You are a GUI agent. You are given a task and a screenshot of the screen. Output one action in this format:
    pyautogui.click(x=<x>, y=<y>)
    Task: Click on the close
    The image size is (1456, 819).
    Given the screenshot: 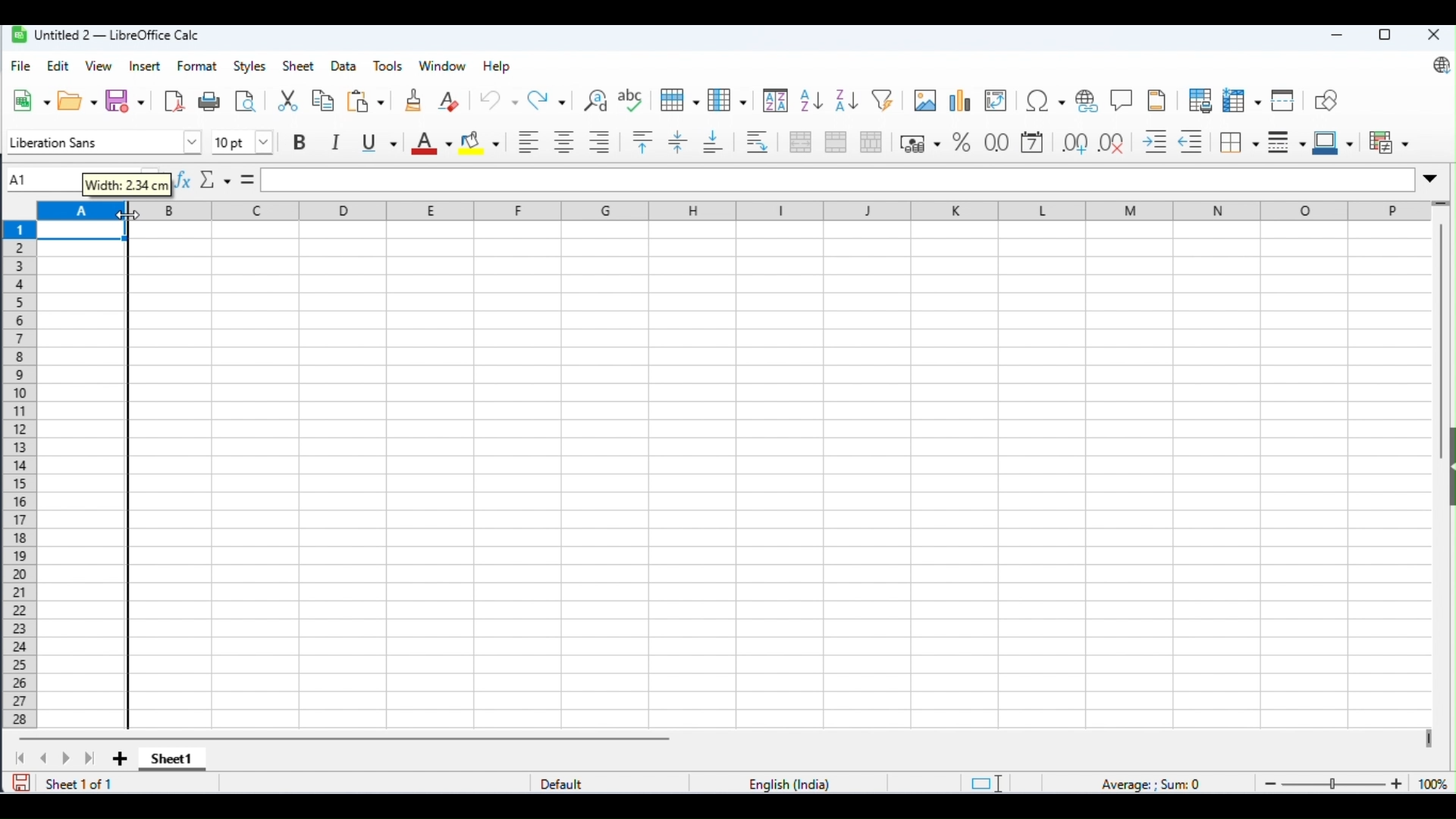 What is the action you would take?
    pyautogui.click(x=1432, y=35)
    